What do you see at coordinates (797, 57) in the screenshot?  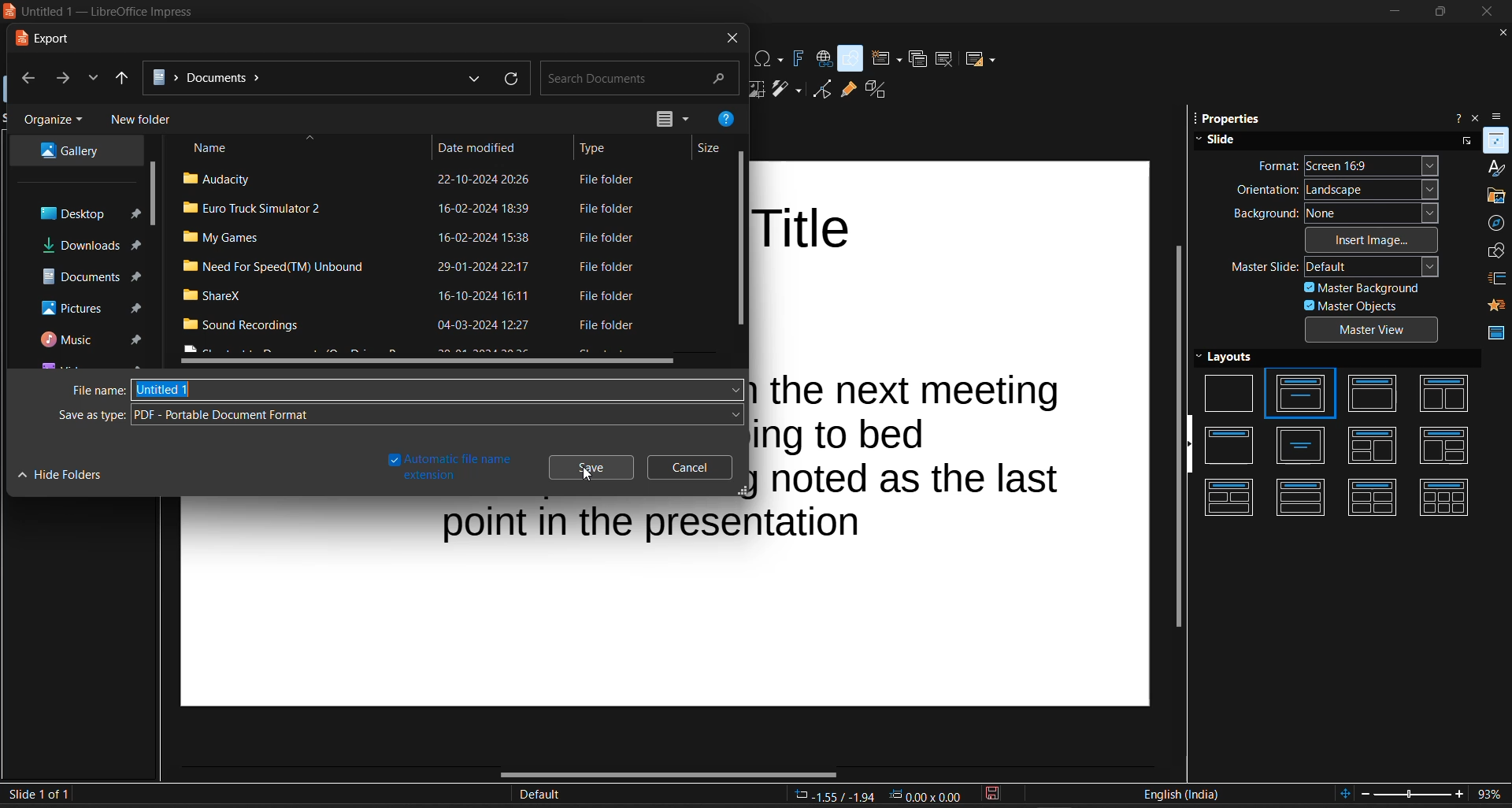 I see `insert fontwork text` at bounding box center [797, 57].